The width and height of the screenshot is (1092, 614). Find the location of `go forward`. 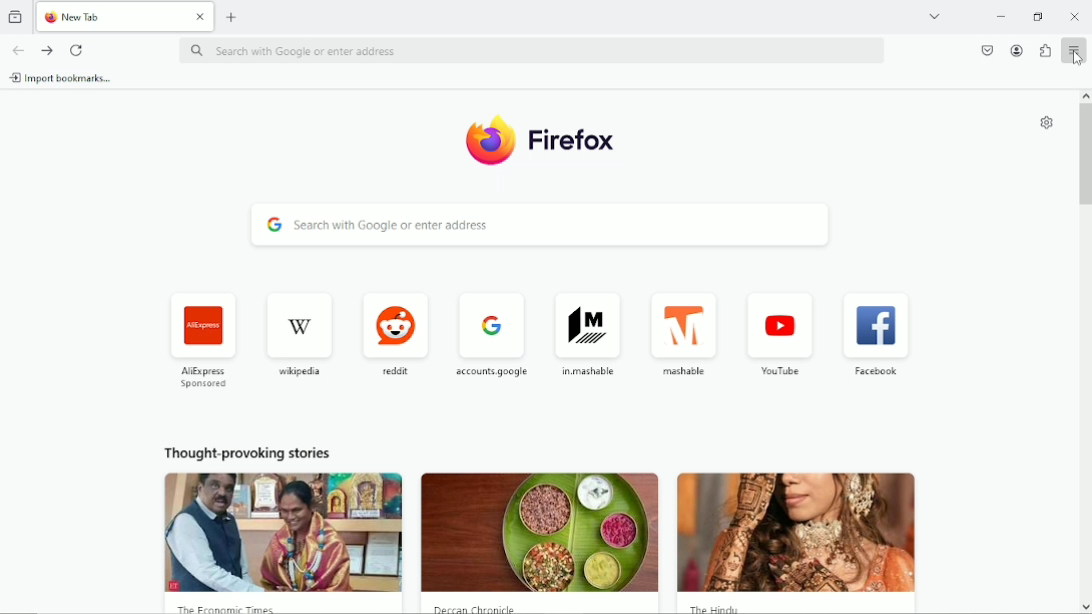

go forward is located at coordinates (48, 51).